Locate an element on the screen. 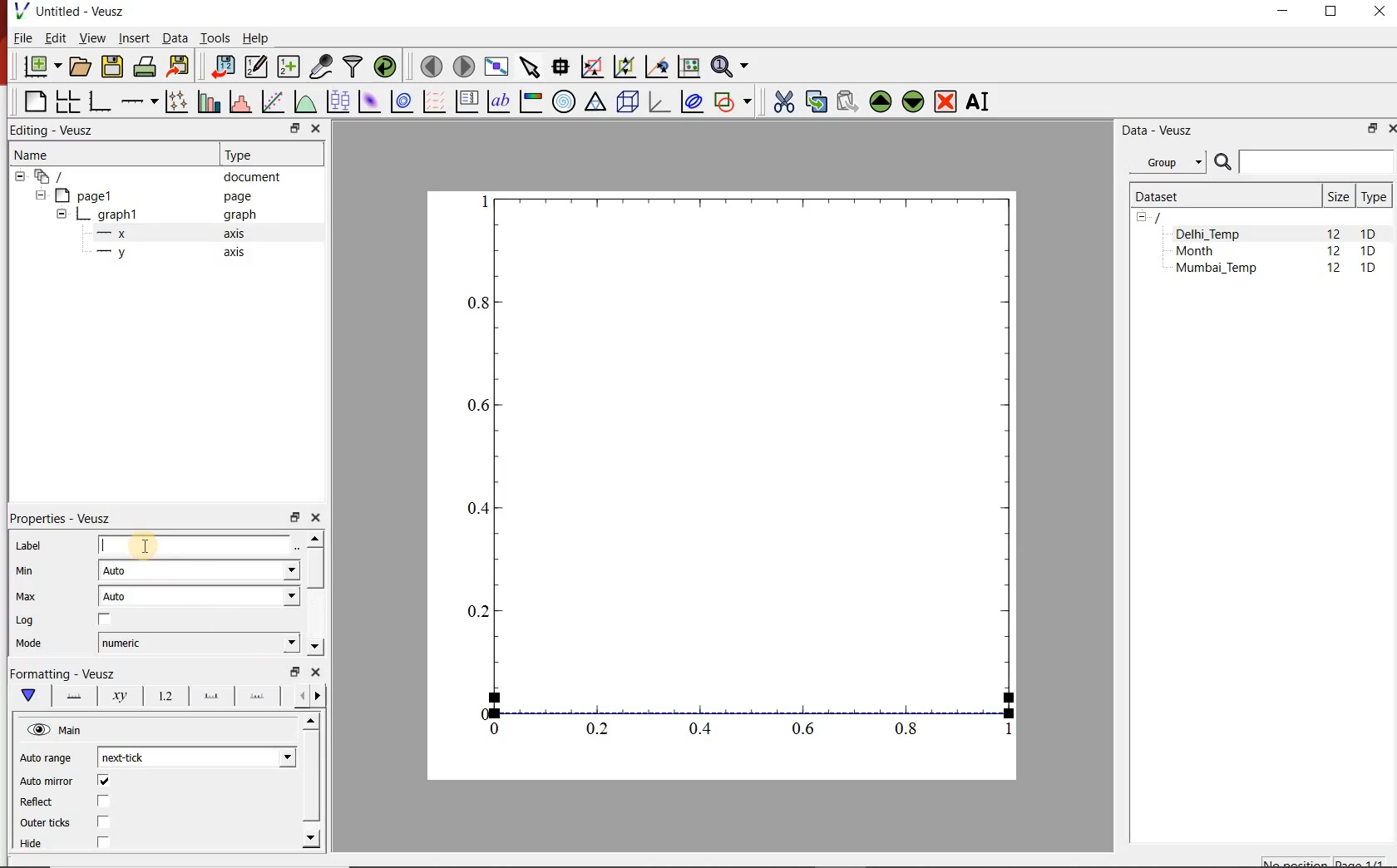 This screenshot has height=868, width=1397. Name is located at coordinates (33, 154).